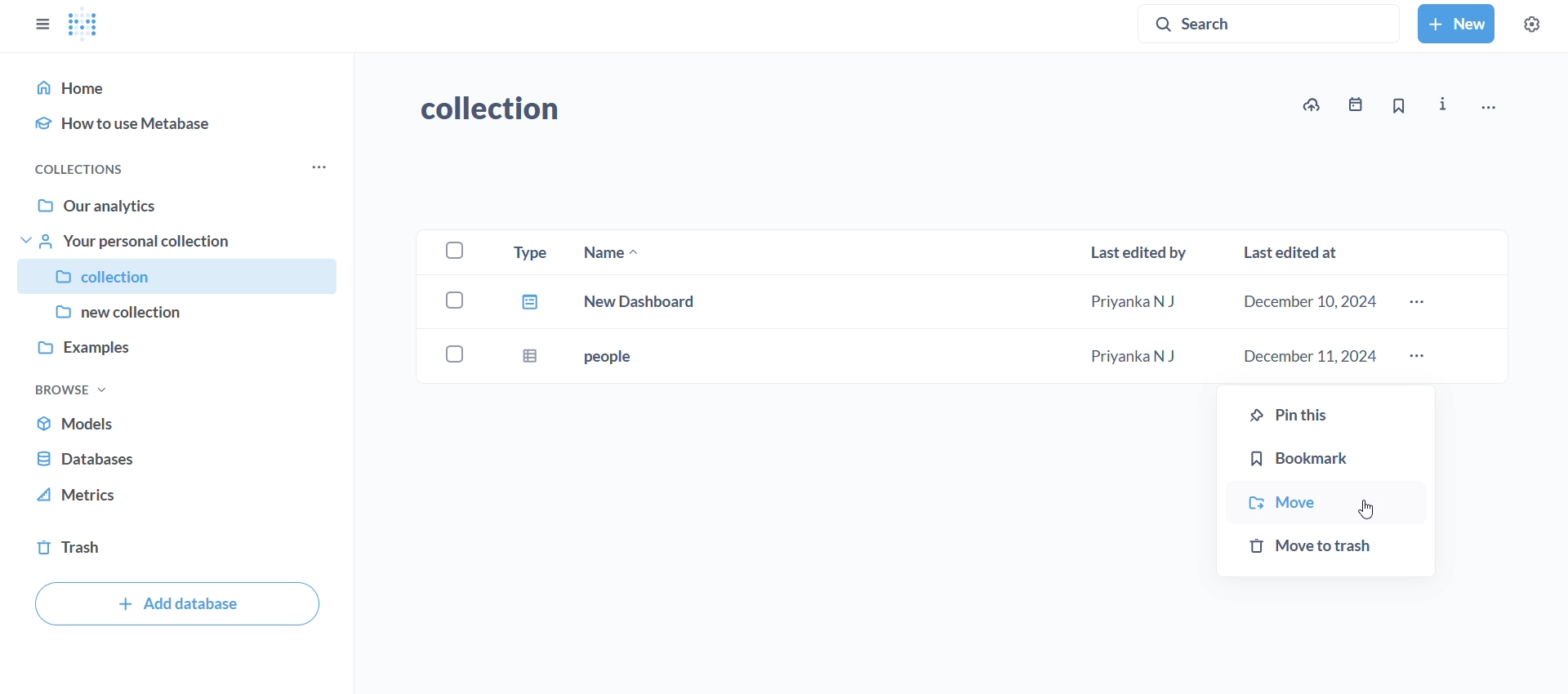 The width and height of the screenshot is (1568, 694). What do you see at coordinates (1418, 304) in the screenshot?
I see `more` at bounding box center [1418, 304].